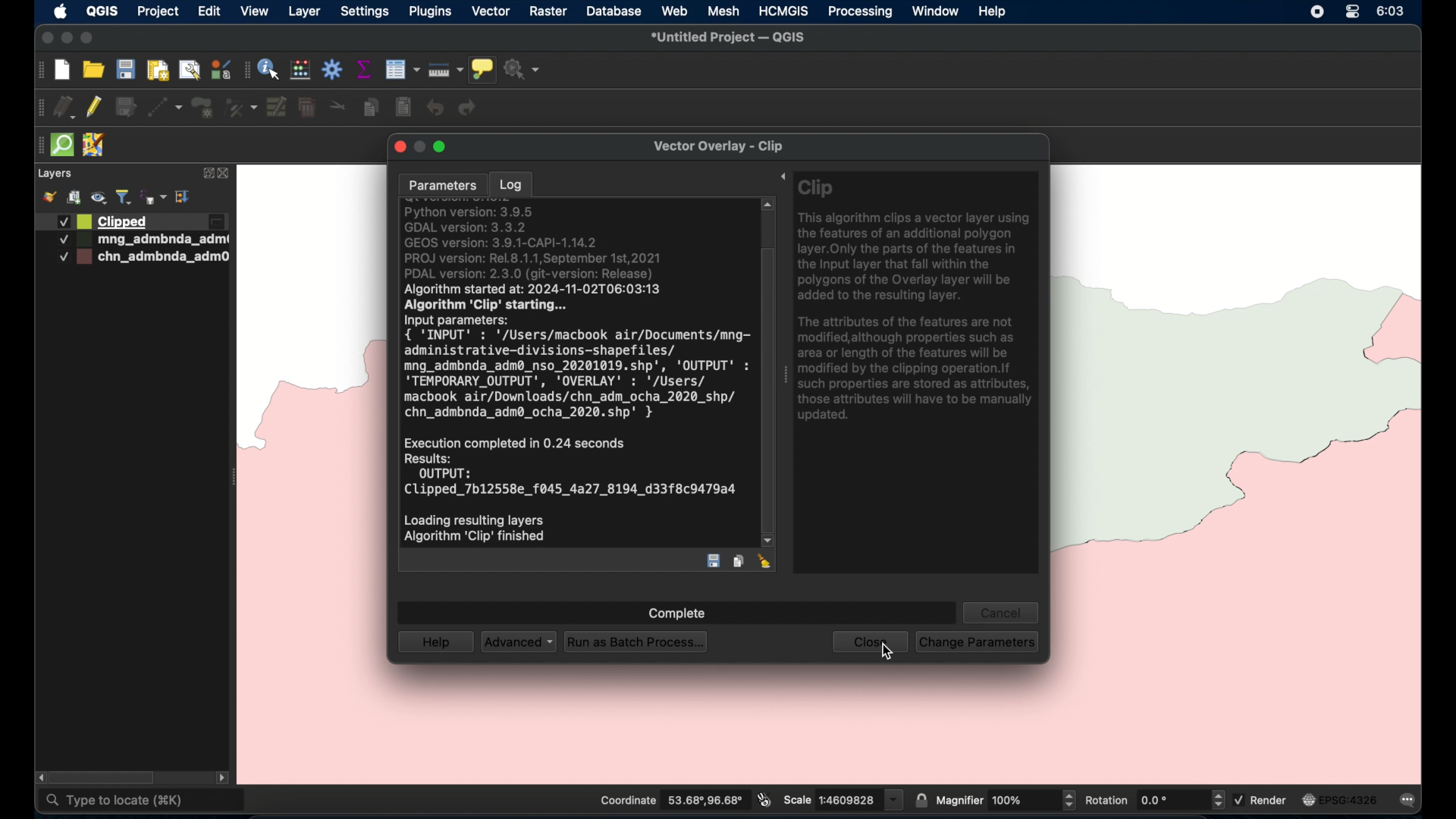 The image size is (1456, 819). Describe the element at coordinates (738, 560) in the screenshot. I see `copy log entry` at that location.